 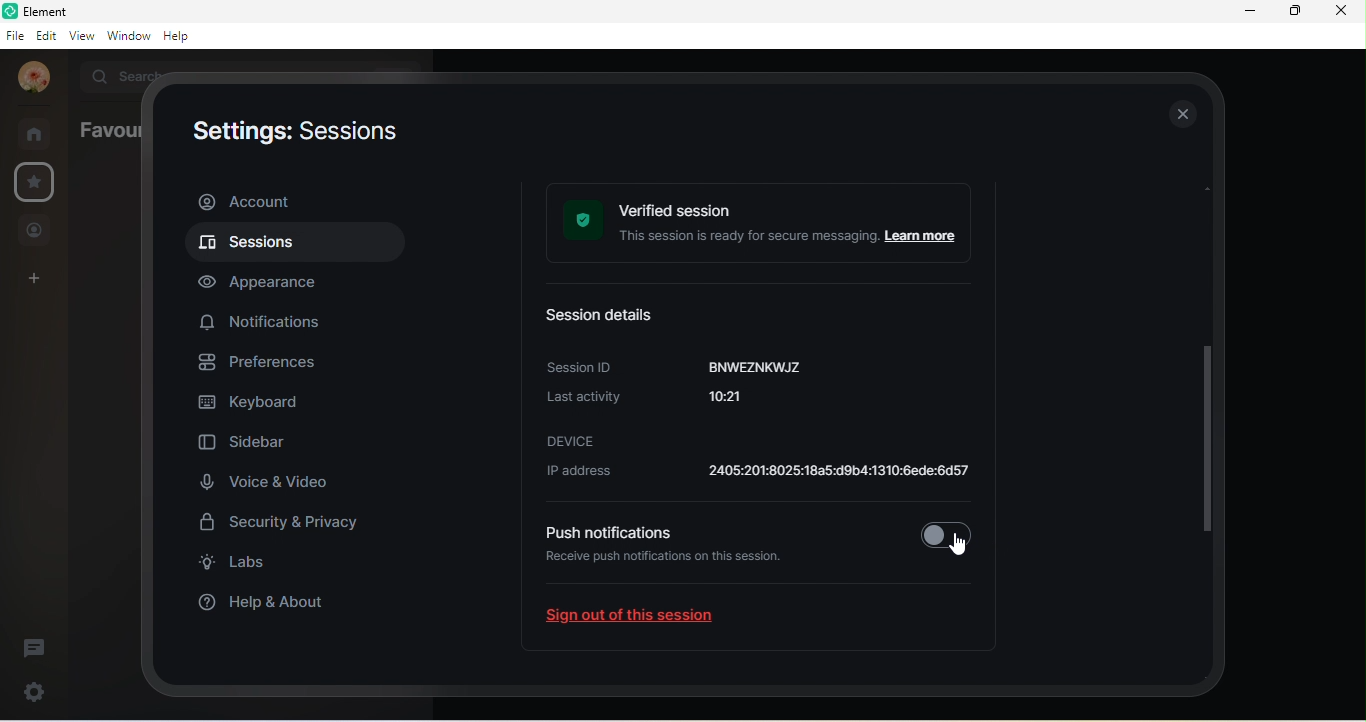 I want to click on minimize, so click(x=1250, y=11).